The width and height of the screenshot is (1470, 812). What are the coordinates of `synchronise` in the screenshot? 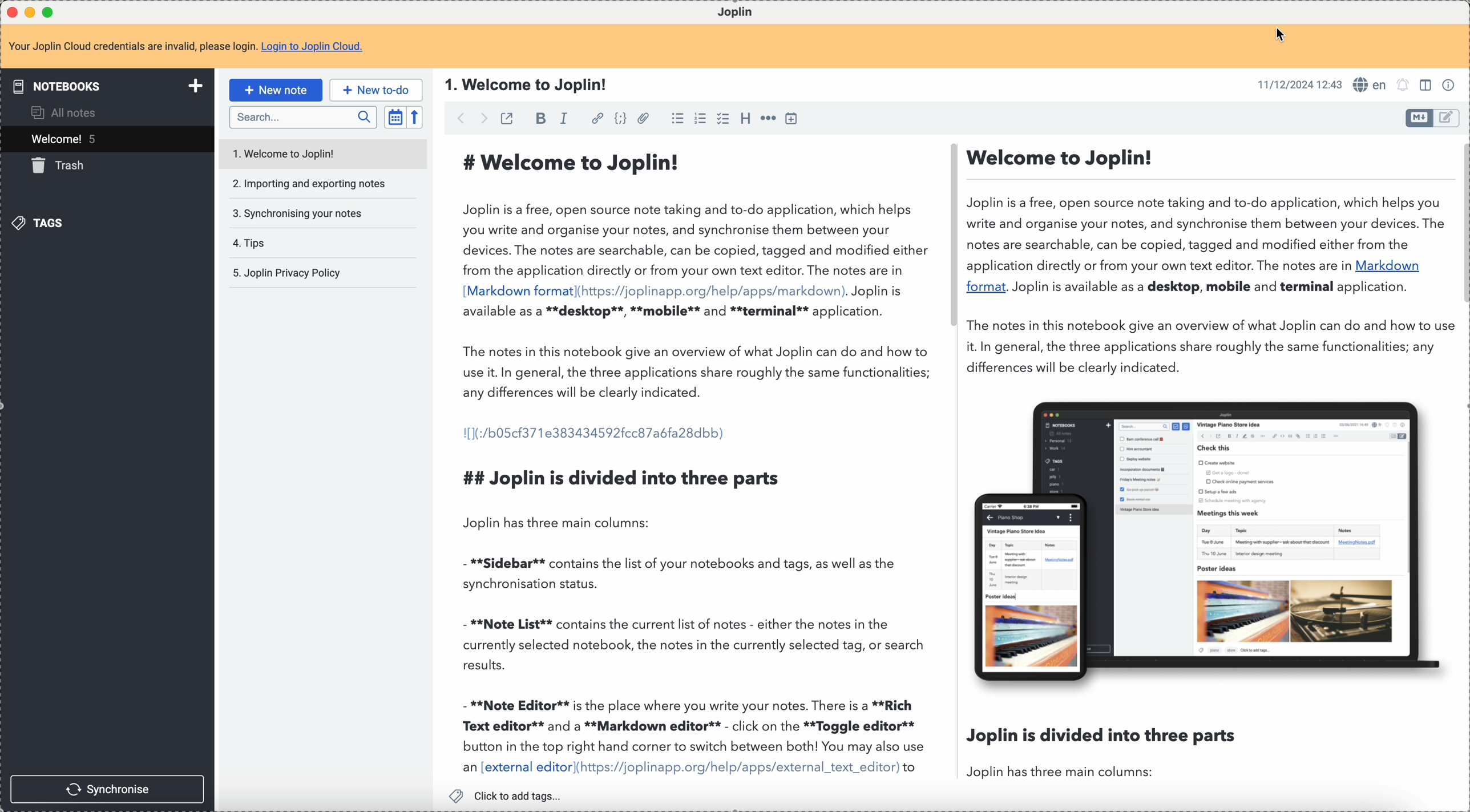 It's located at (108, 789).